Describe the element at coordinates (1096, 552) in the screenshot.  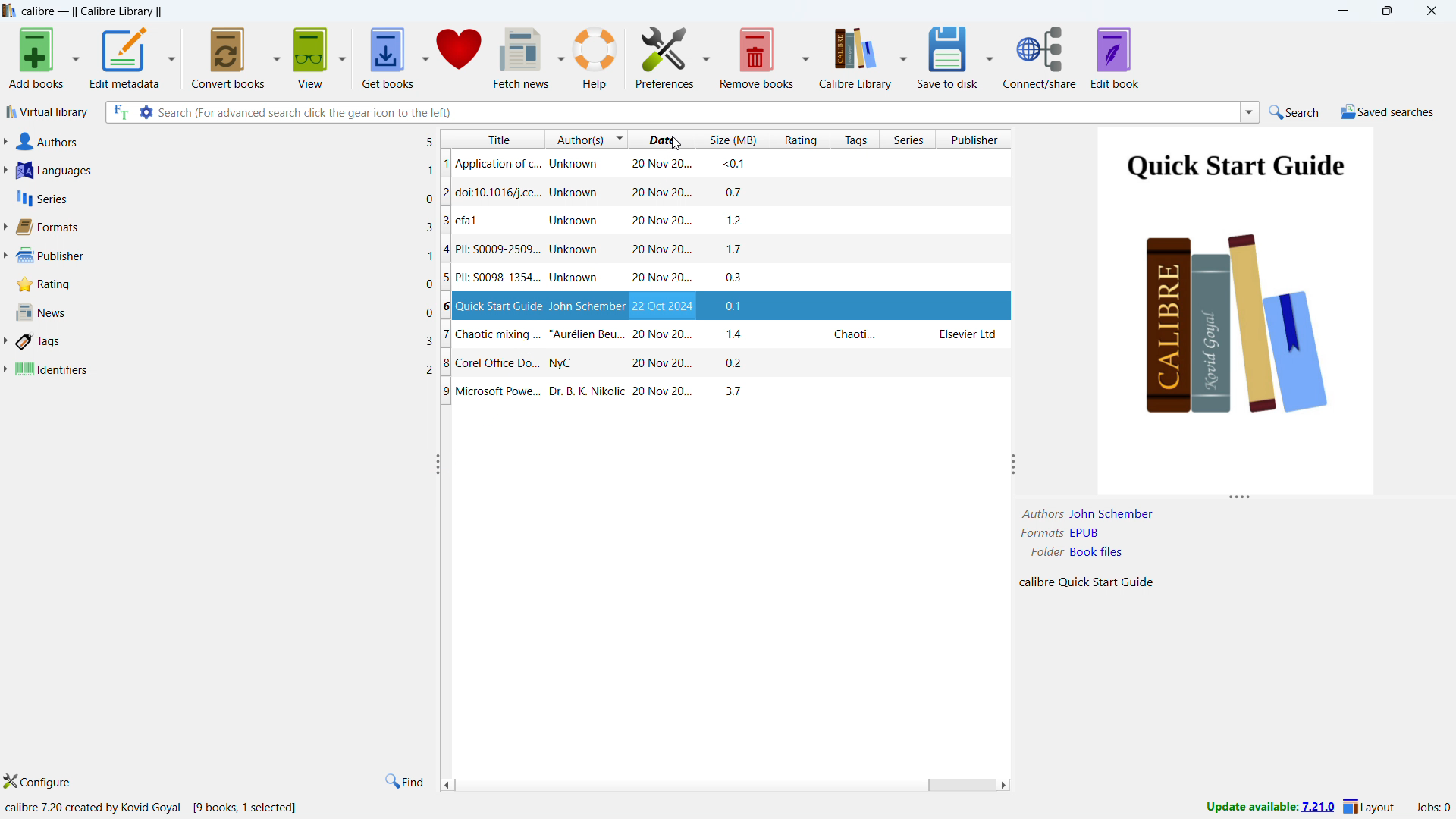
I see `Book File` at that location.